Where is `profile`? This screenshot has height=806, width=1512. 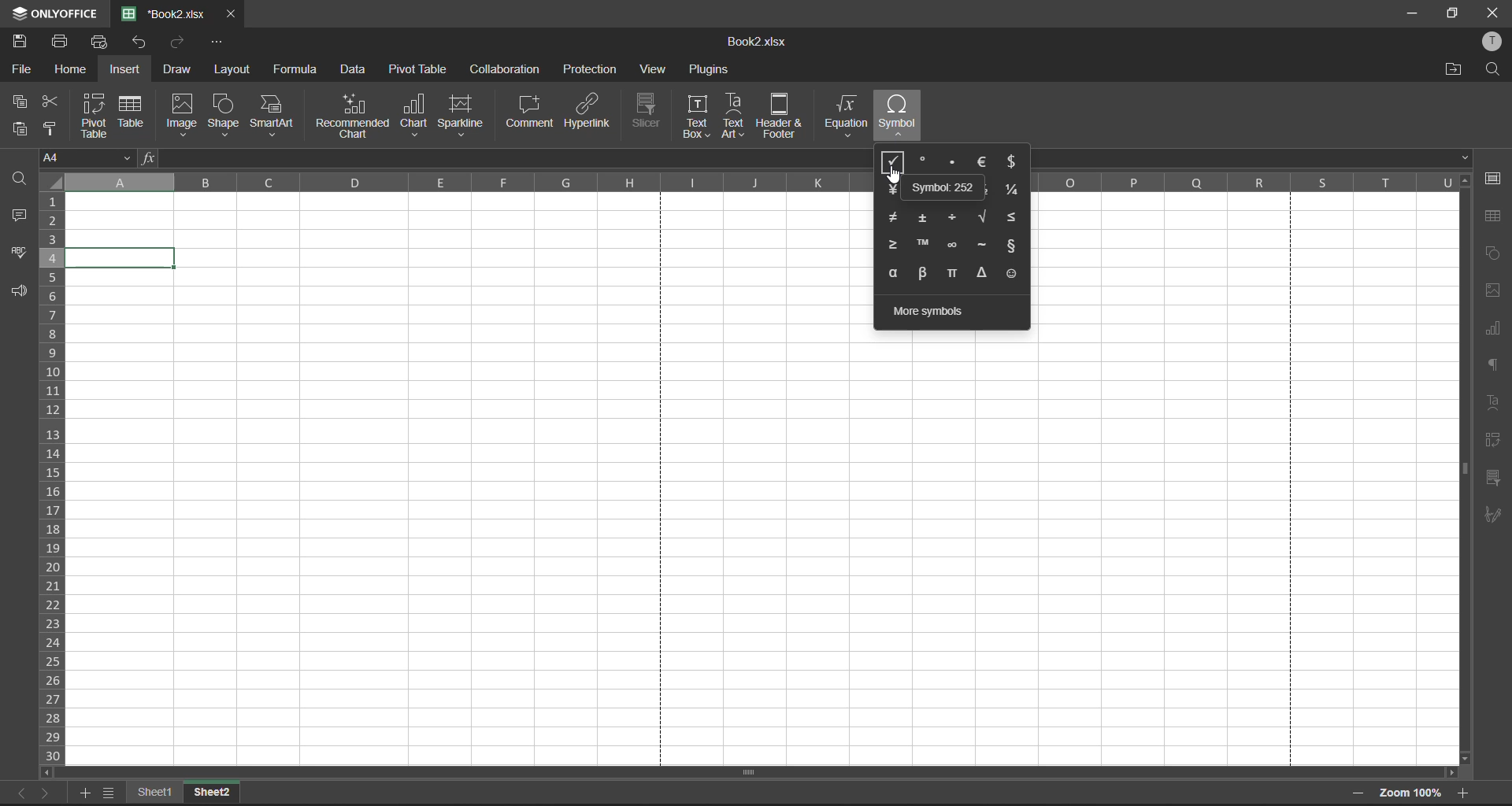
profile is located at coordinates (1492, 42).